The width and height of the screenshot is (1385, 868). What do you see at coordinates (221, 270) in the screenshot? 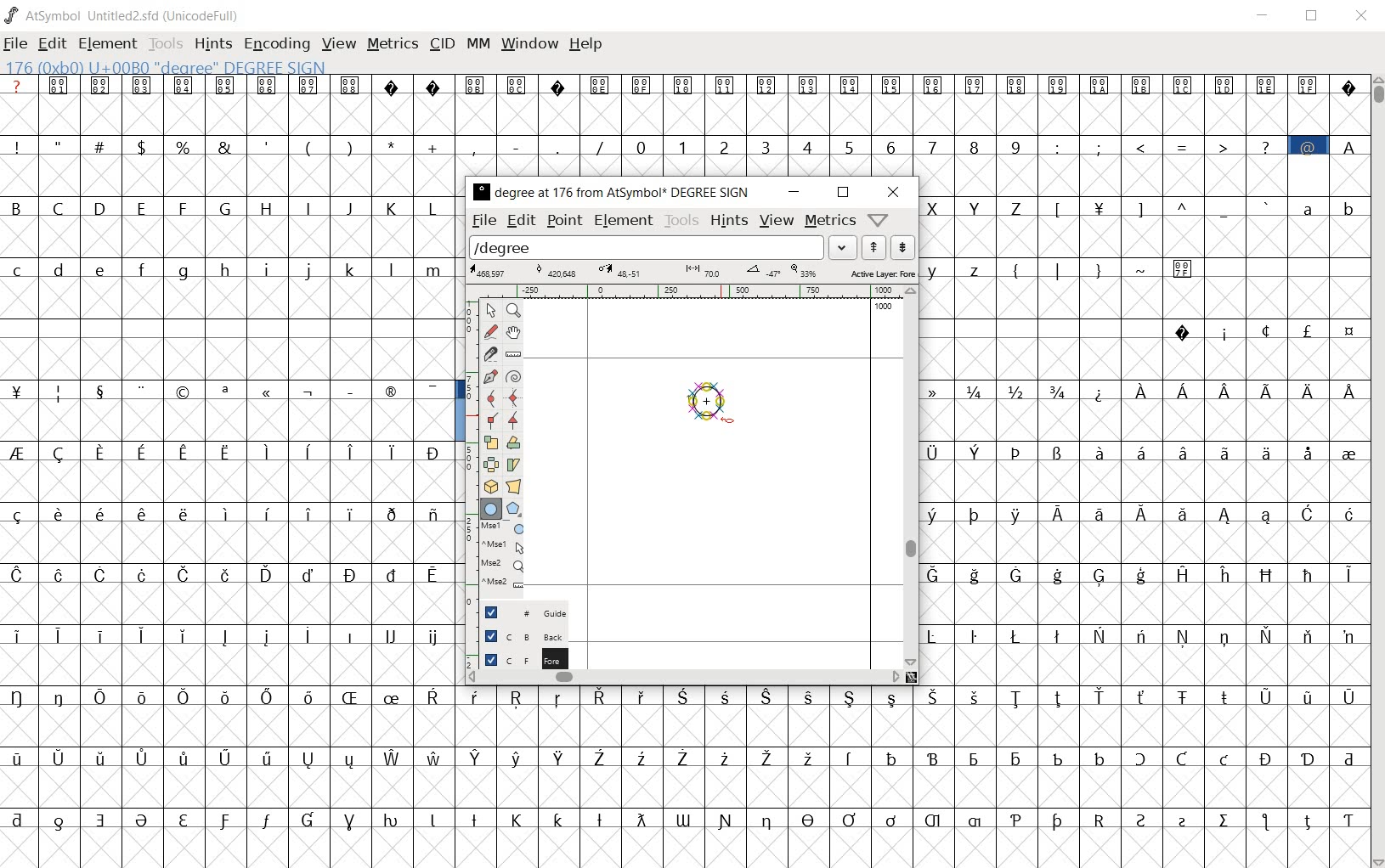
I see `small letters c - m` at bounding box center [221, 270].